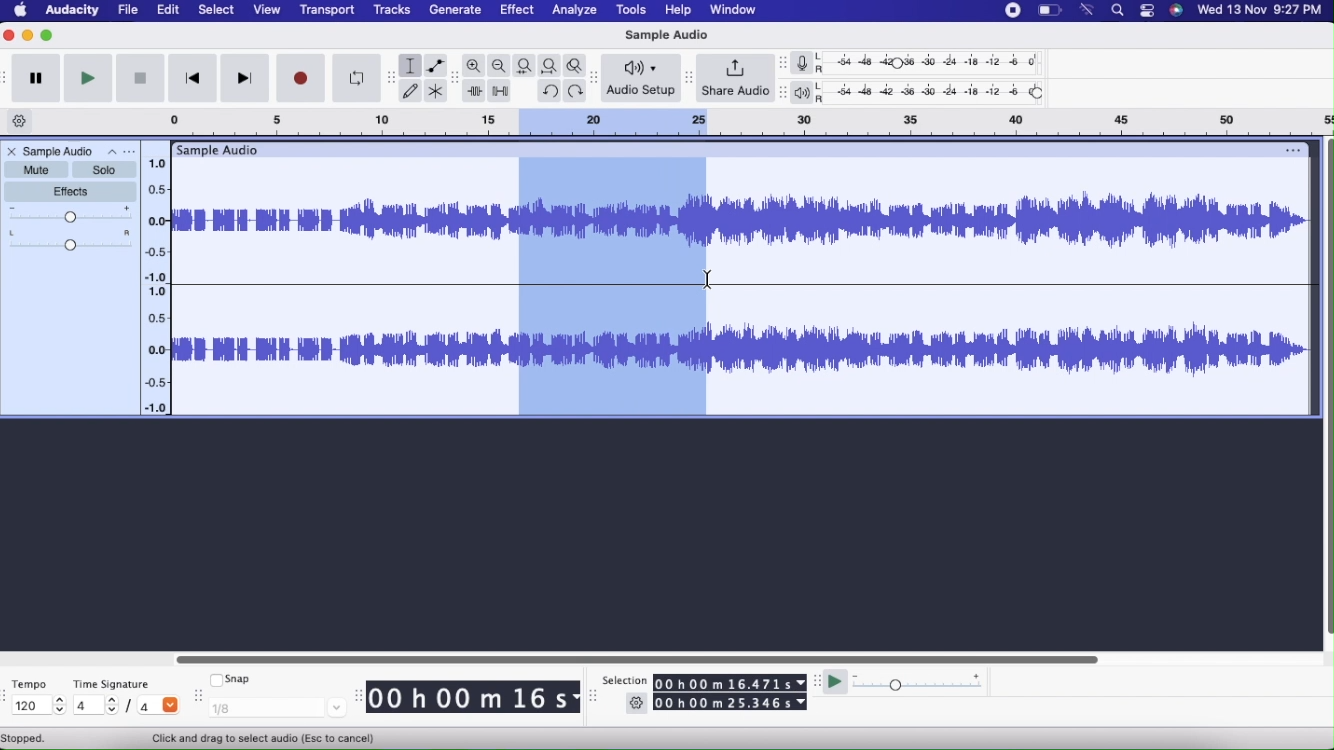  What do you see at coordinates (1009, 10) in the screenshot?
I see `menu` at bounding box center [1009, 10].